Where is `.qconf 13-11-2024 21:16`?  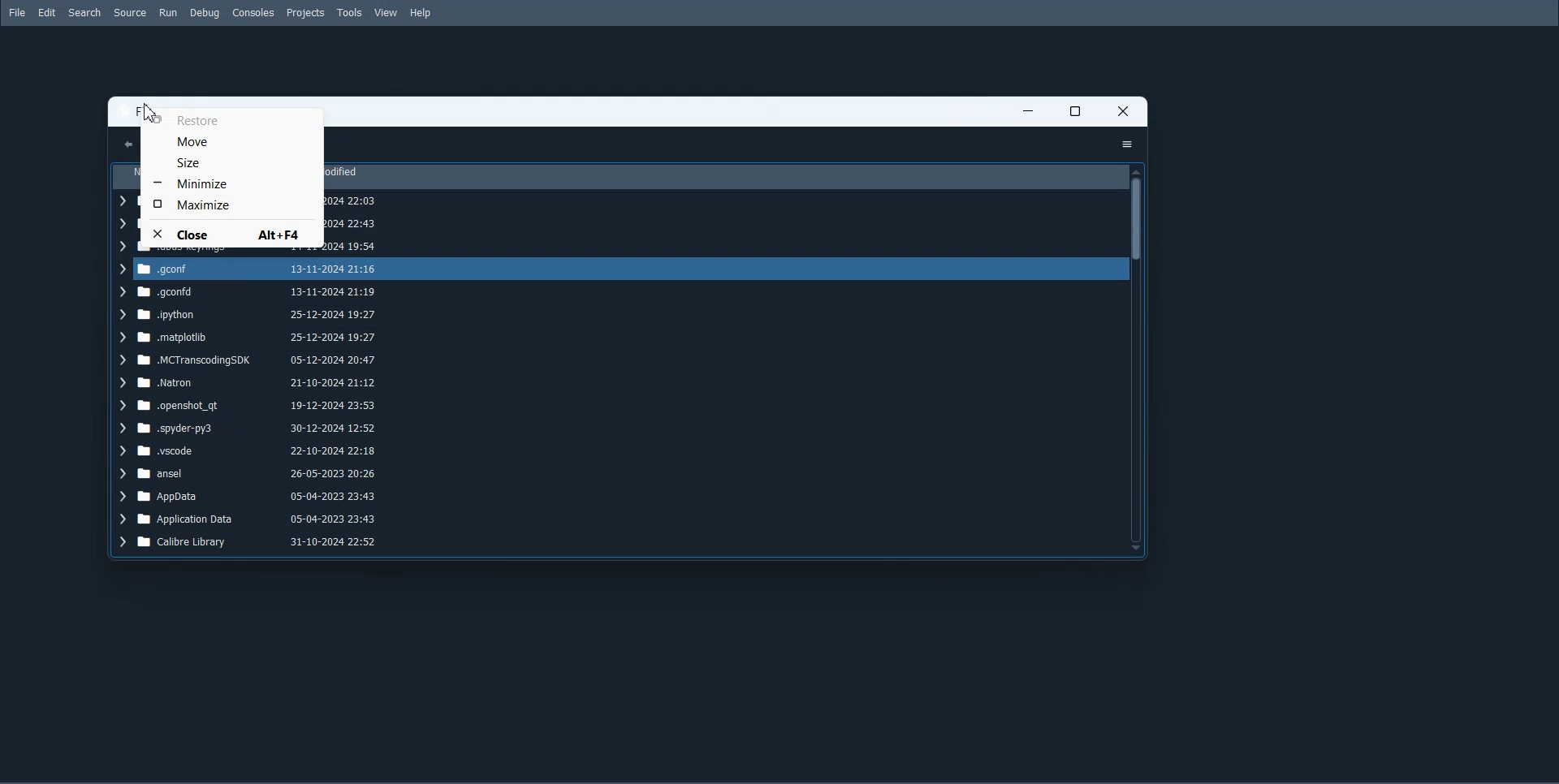
.qconf 13-11-2024 21:16 is located at coordinates (245, 267).